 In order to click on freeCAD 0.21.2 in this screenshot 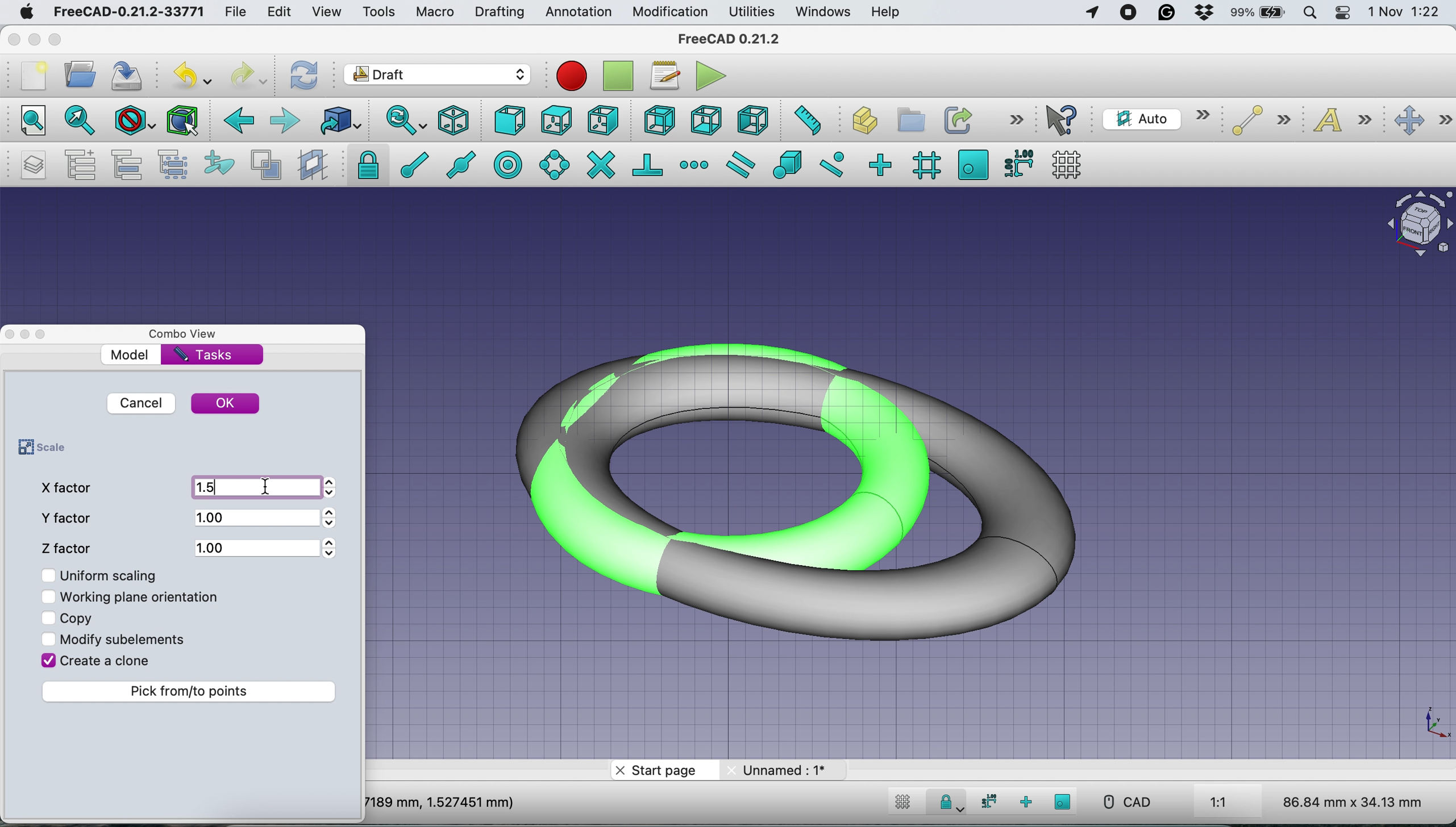, I will do `click(729, 40)`.